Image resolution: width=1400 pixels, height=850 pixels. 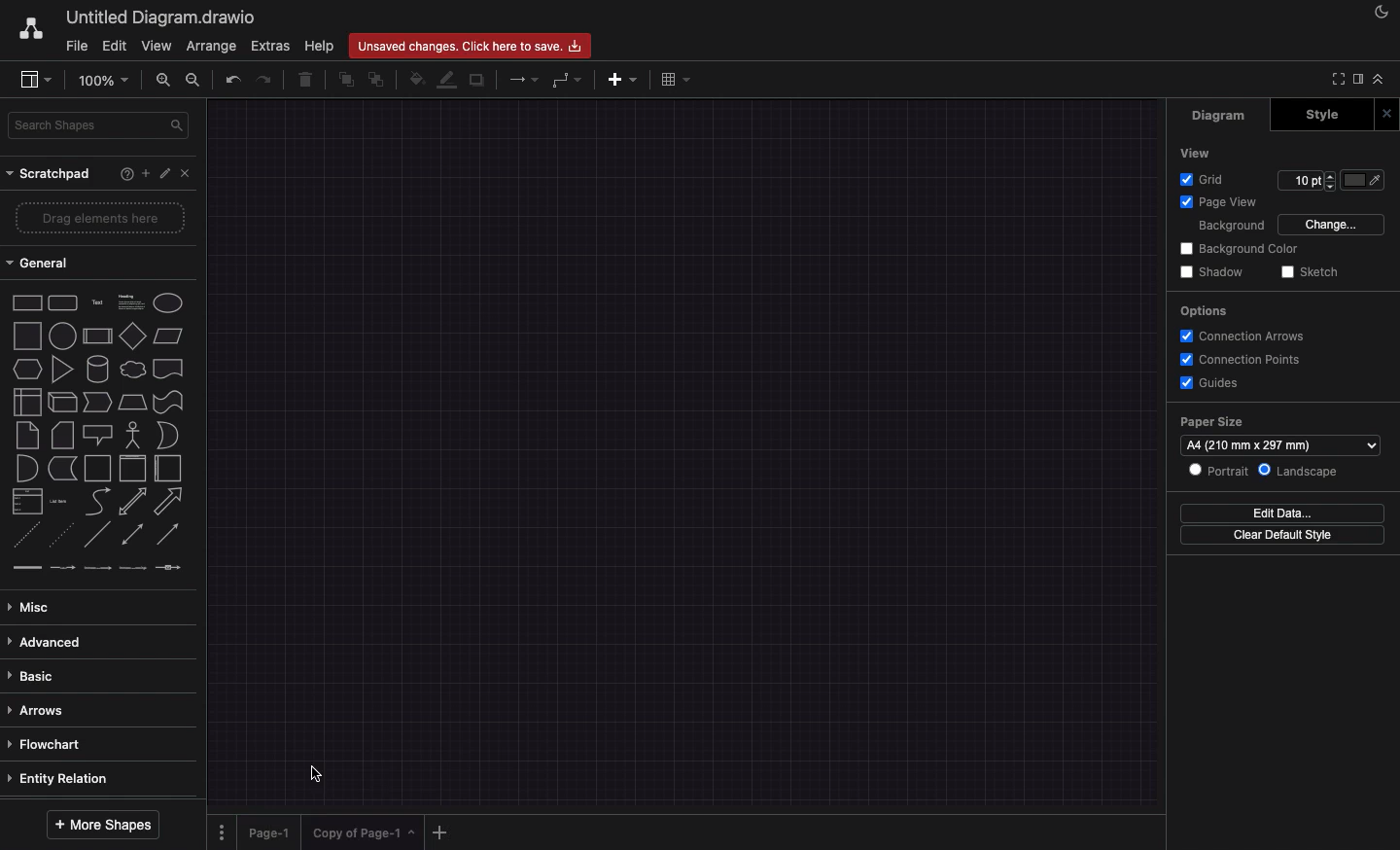 What do you see at coordinates (27, 567) in the screenshot?
I see `link` at bounding box center [27, 567].